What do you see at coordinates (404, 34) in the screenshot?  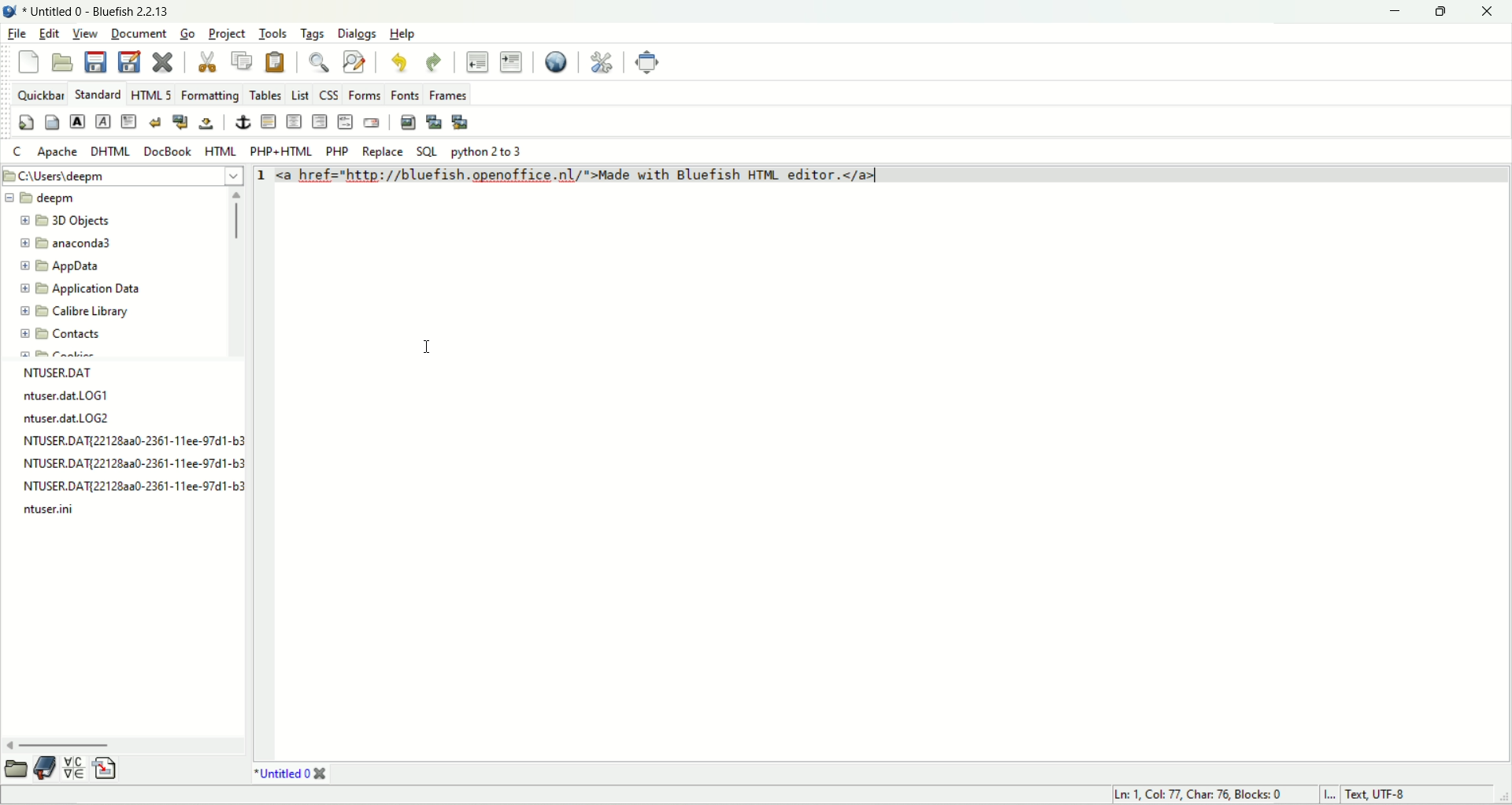 I see `help` at bounding box center [404, 34].